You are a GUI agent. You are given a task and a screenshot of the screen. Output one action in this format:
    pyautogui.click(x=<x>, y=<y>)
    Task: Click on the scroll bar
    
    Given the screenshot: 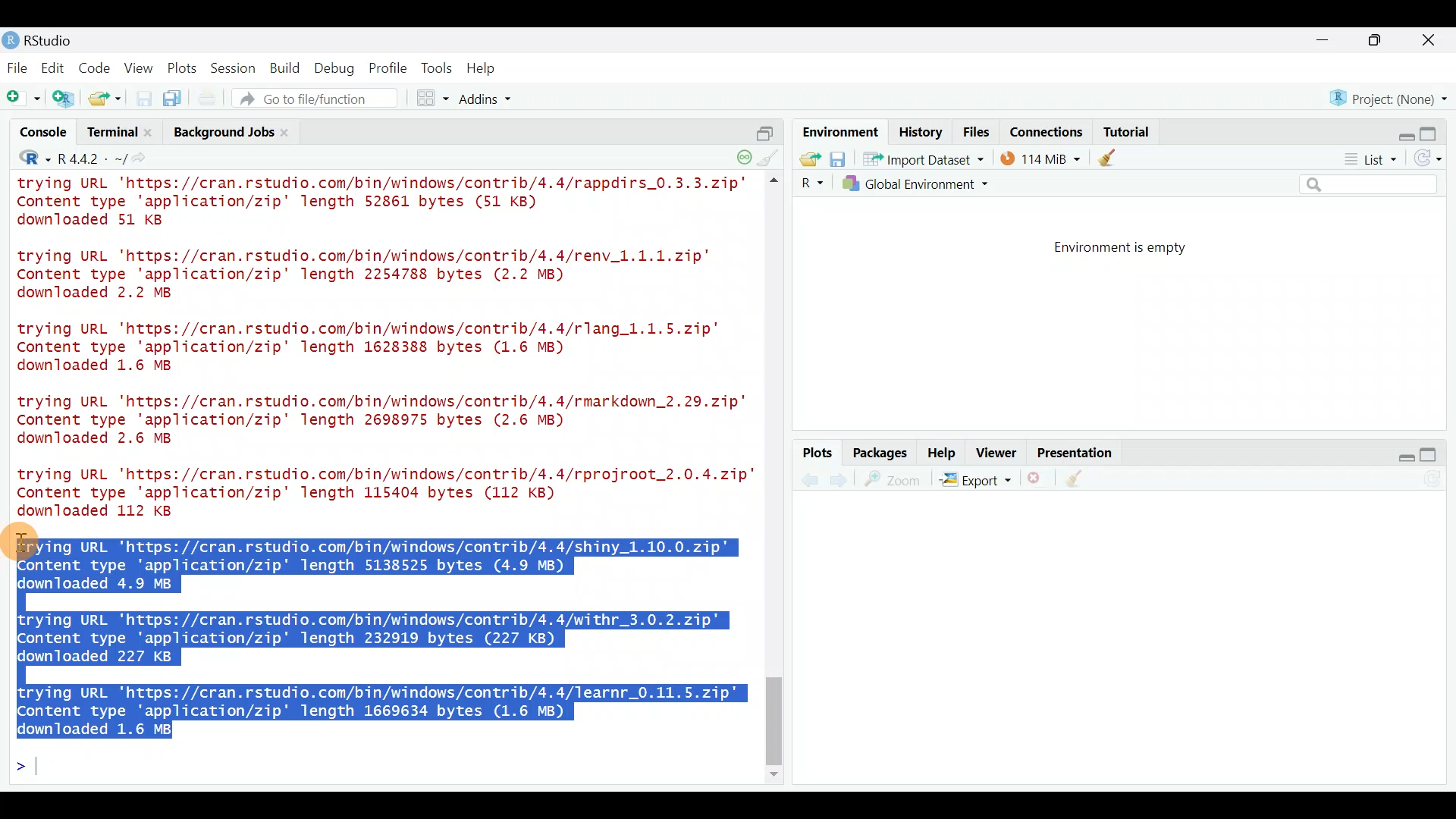 What is the action you would take?
    pyautogui.click(x=777, y=479)
    